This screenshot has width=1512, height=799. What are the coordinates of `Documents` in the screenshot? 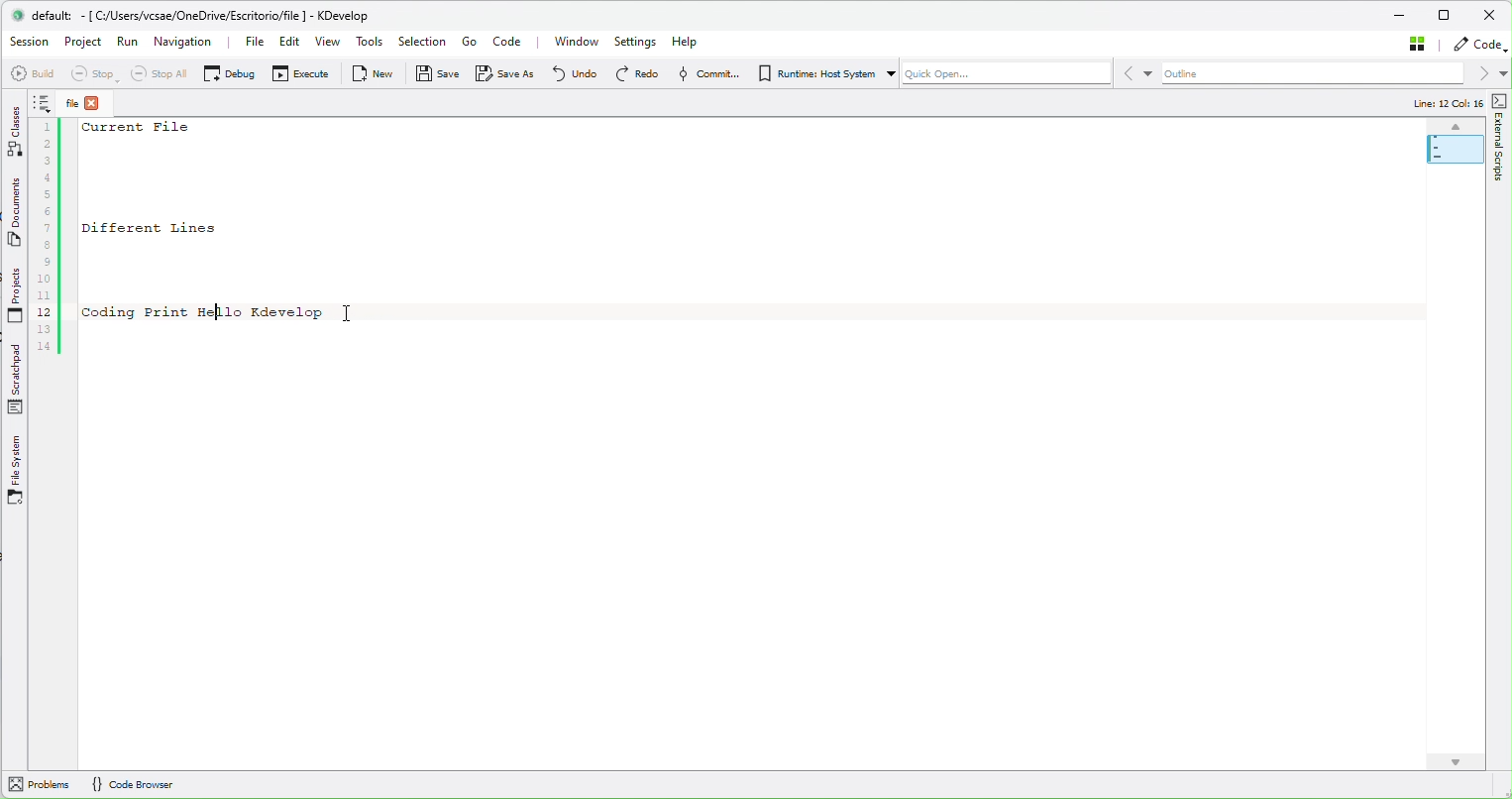 It's located at (16, 210).